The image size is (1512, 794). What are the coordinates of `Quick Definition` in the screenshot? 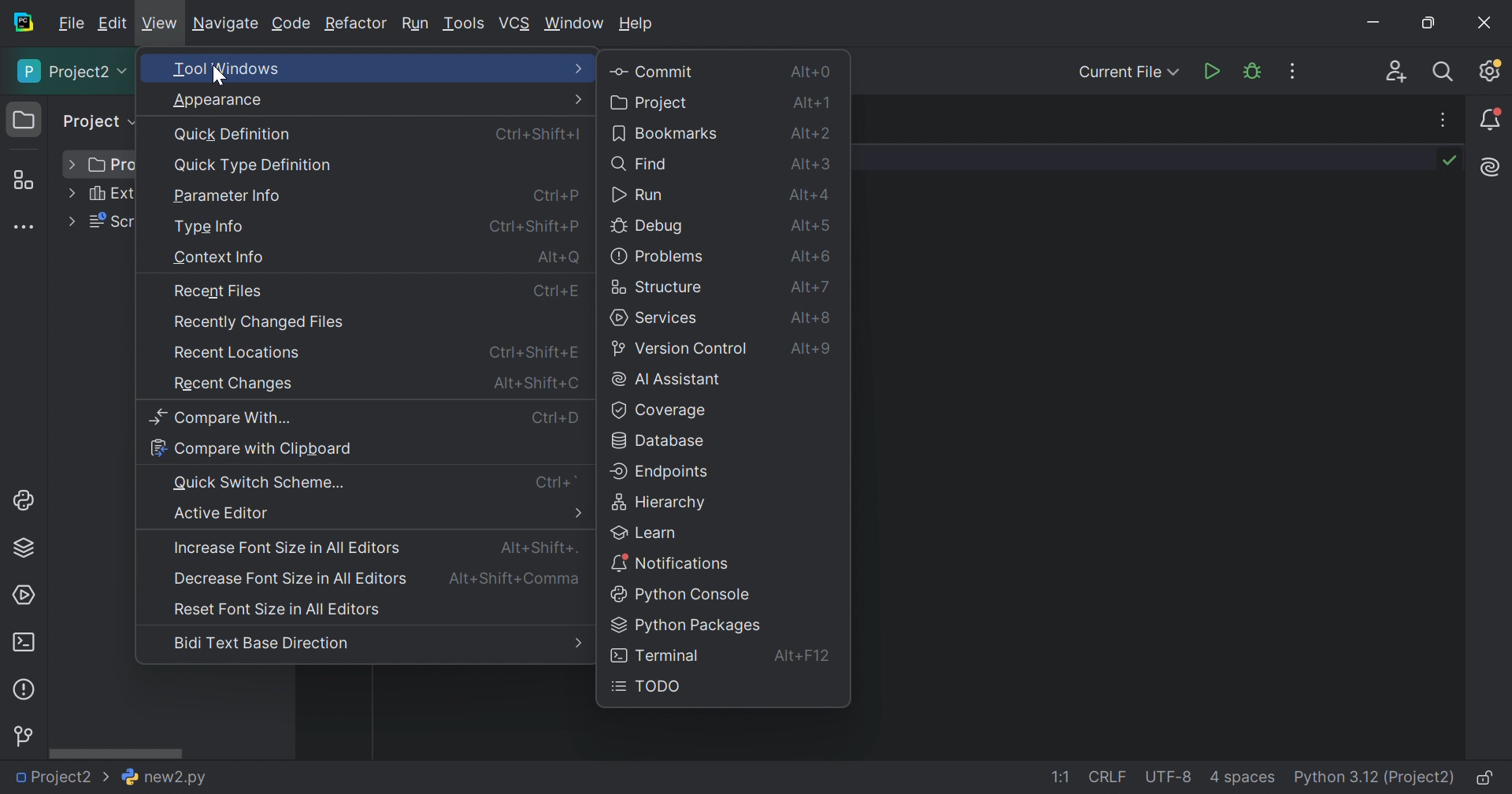 It's located at (234, 134).